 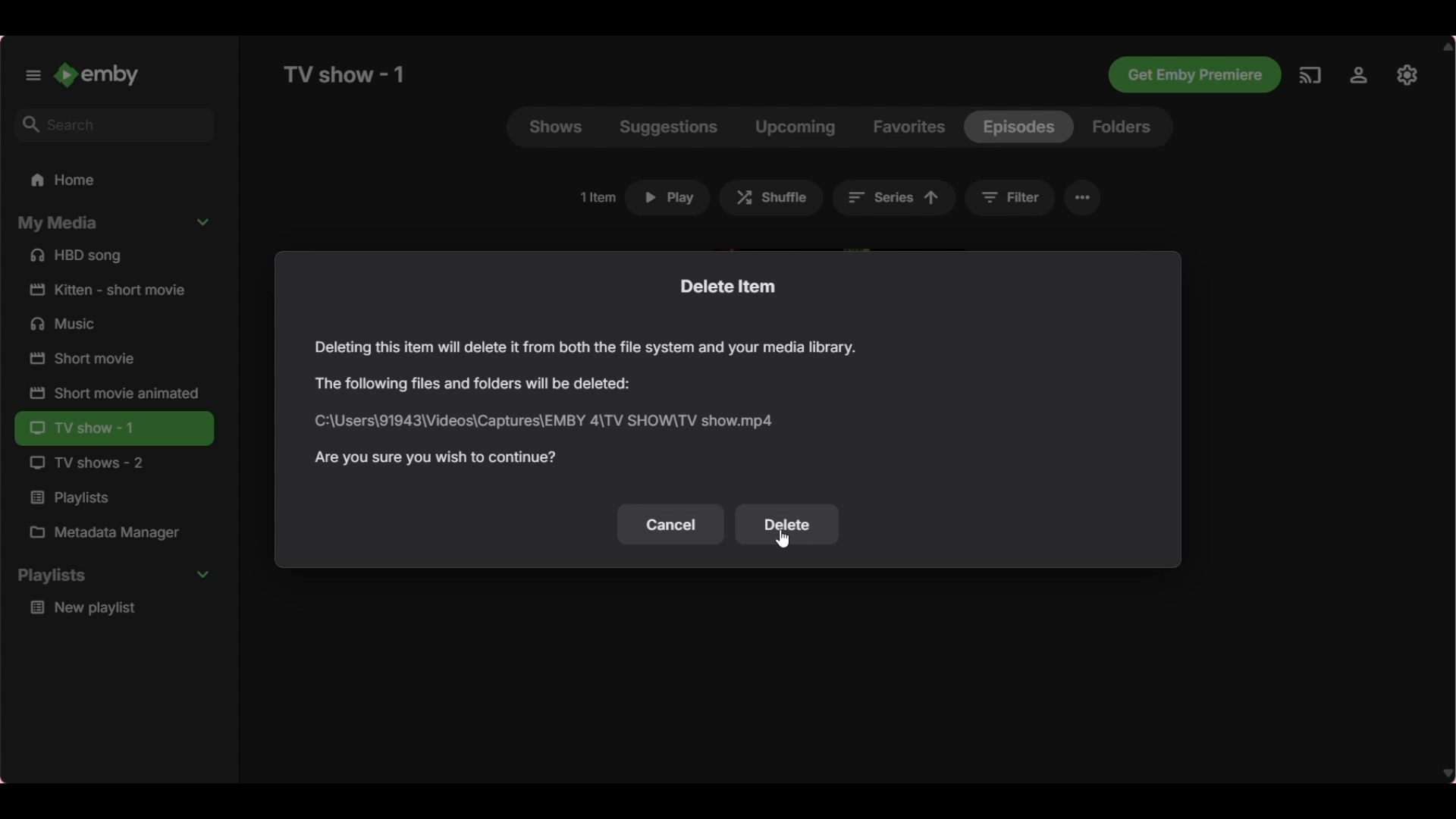 What do you see at coordinates (795, 127) in the screenshot?
I see `Upcoming` at bounding box center [795, 127].